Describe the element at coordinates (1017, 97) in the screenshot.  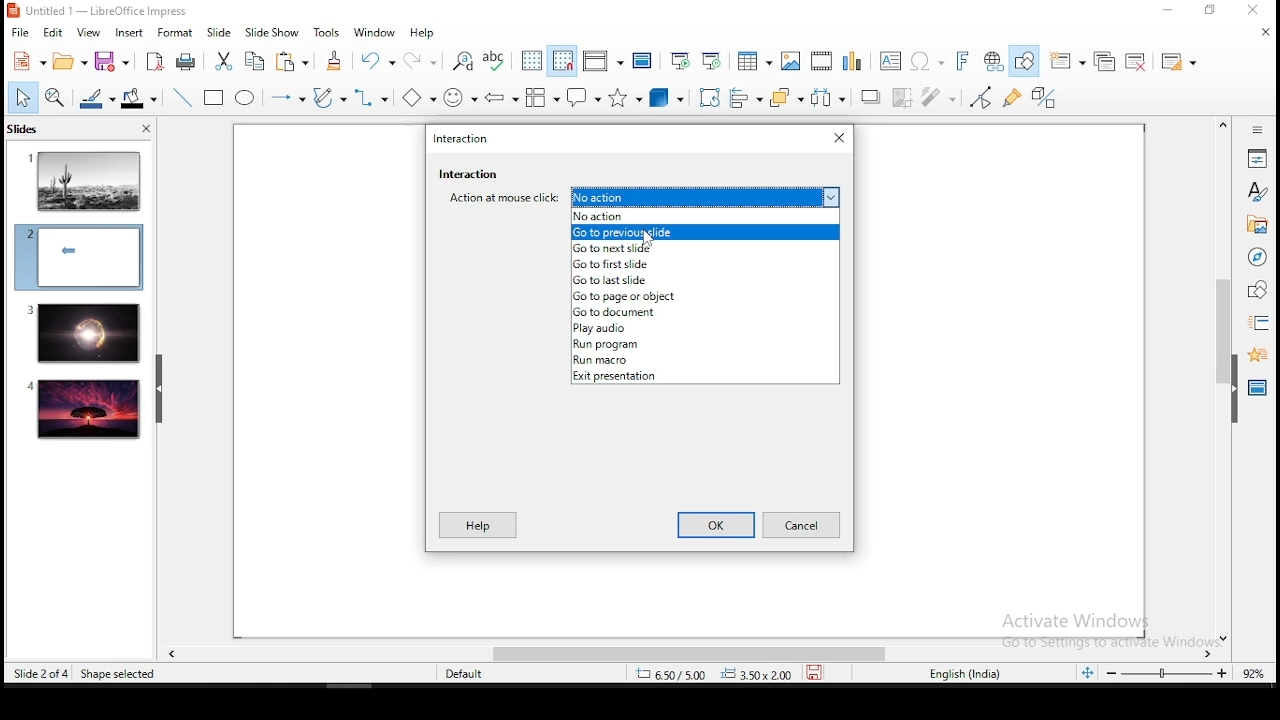
I see `show gluepoint functions` at that location.